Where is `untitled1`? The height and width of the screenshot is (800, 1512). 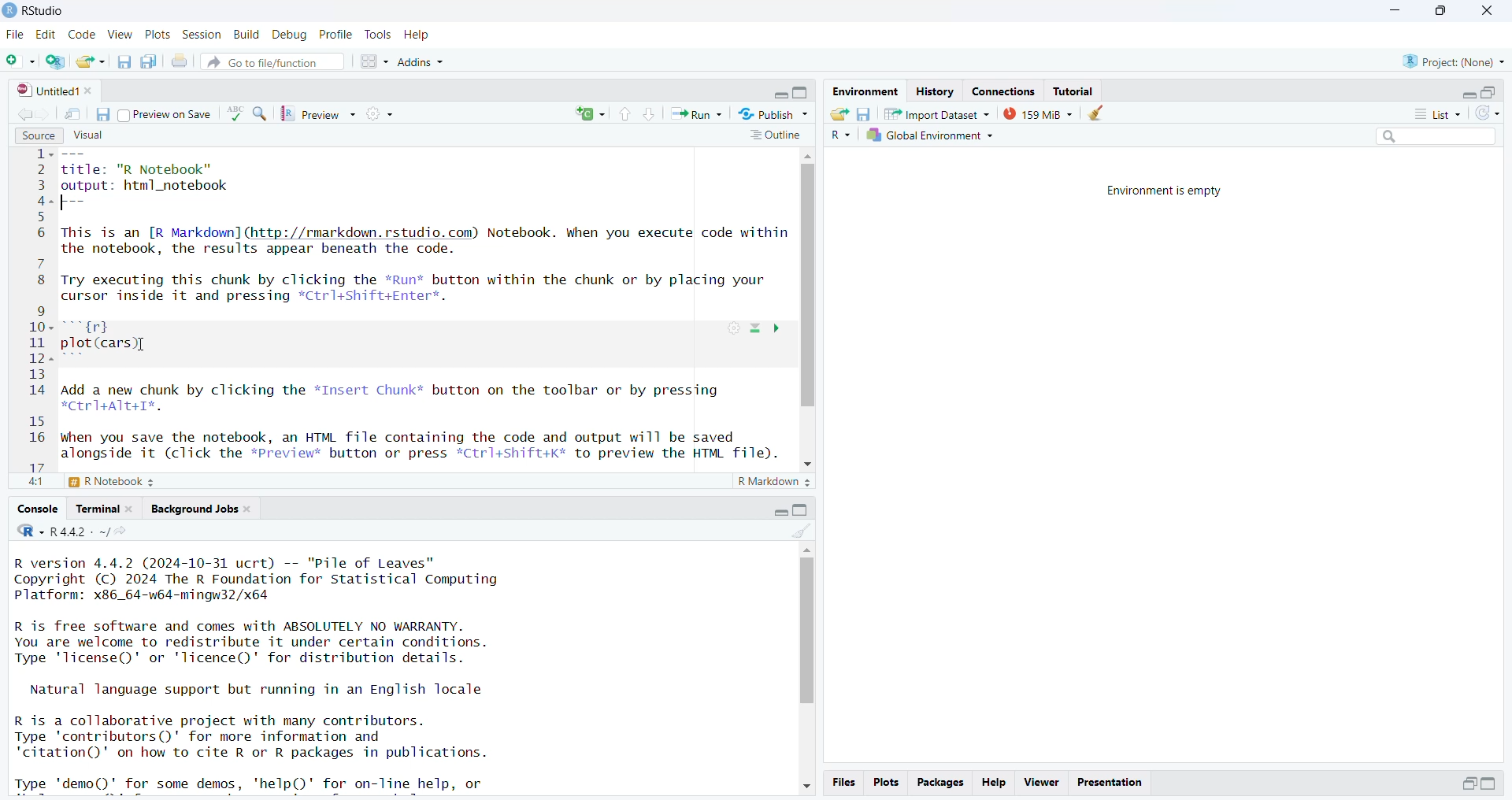 untitled1 is located at coordinates (57, 91).